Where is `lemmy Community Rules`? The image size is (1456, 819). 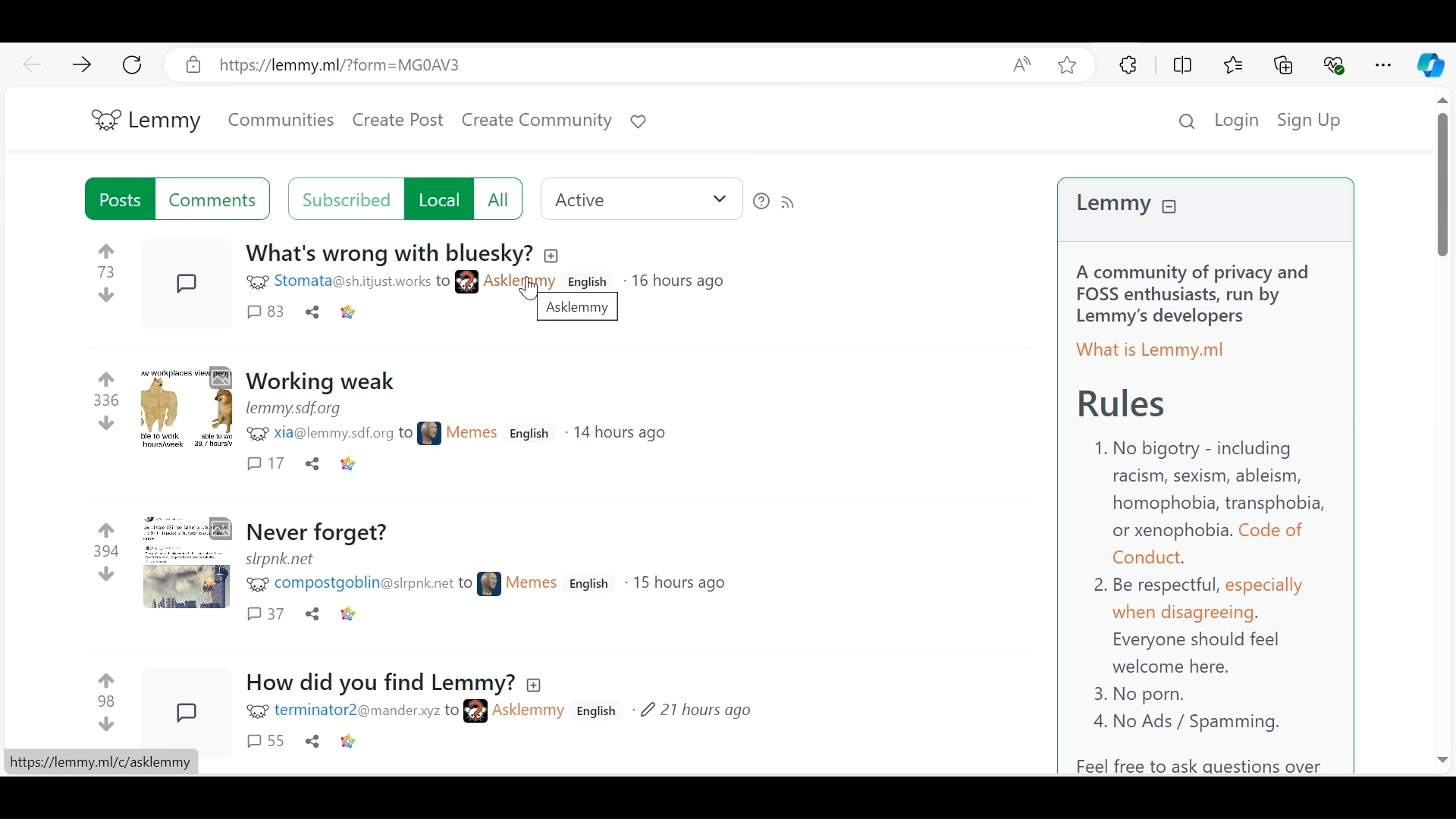
lemmy Community Rules is located at coordinates (1208, 476).